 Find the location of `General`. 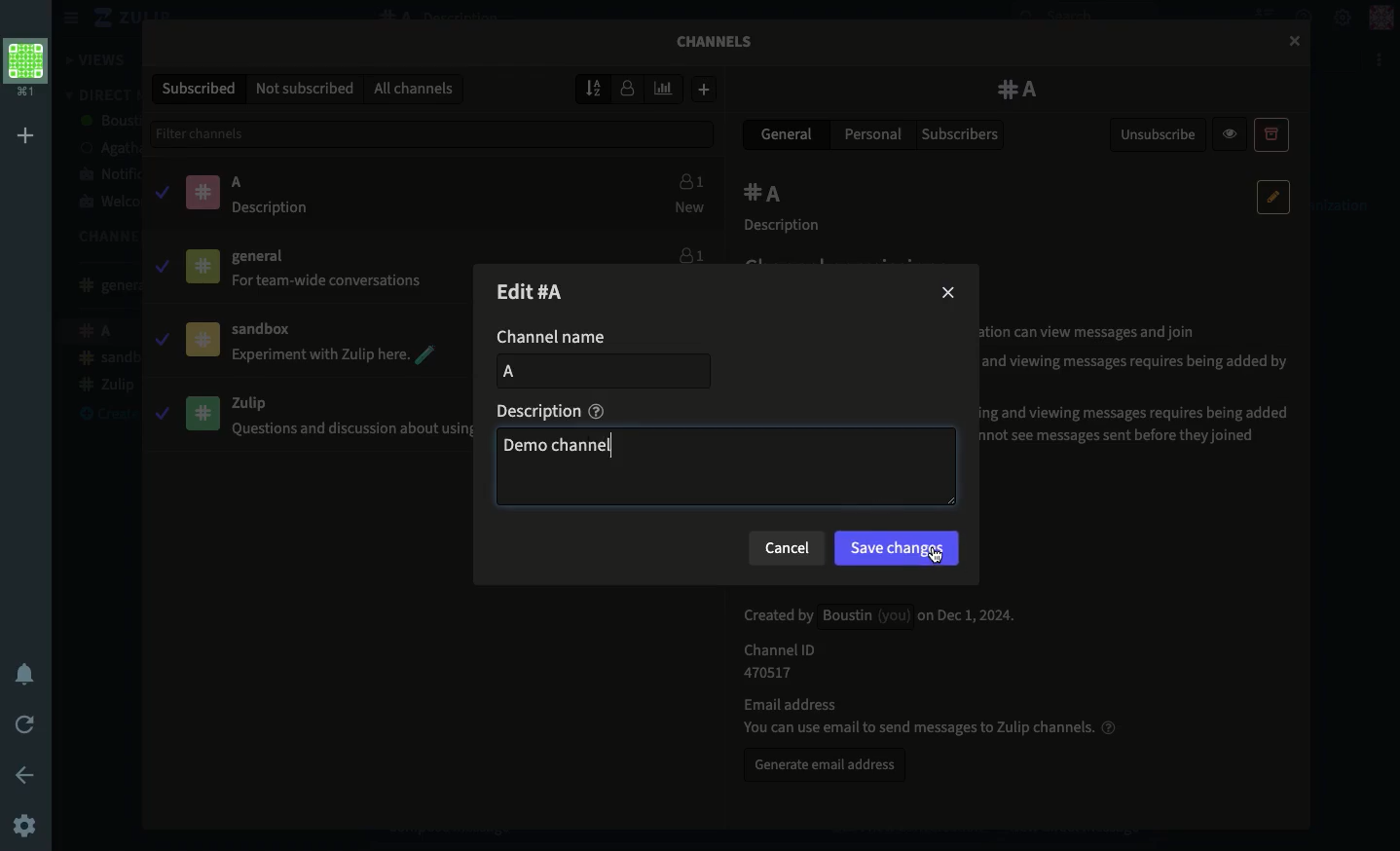

General is located at coordinates (102, 285).